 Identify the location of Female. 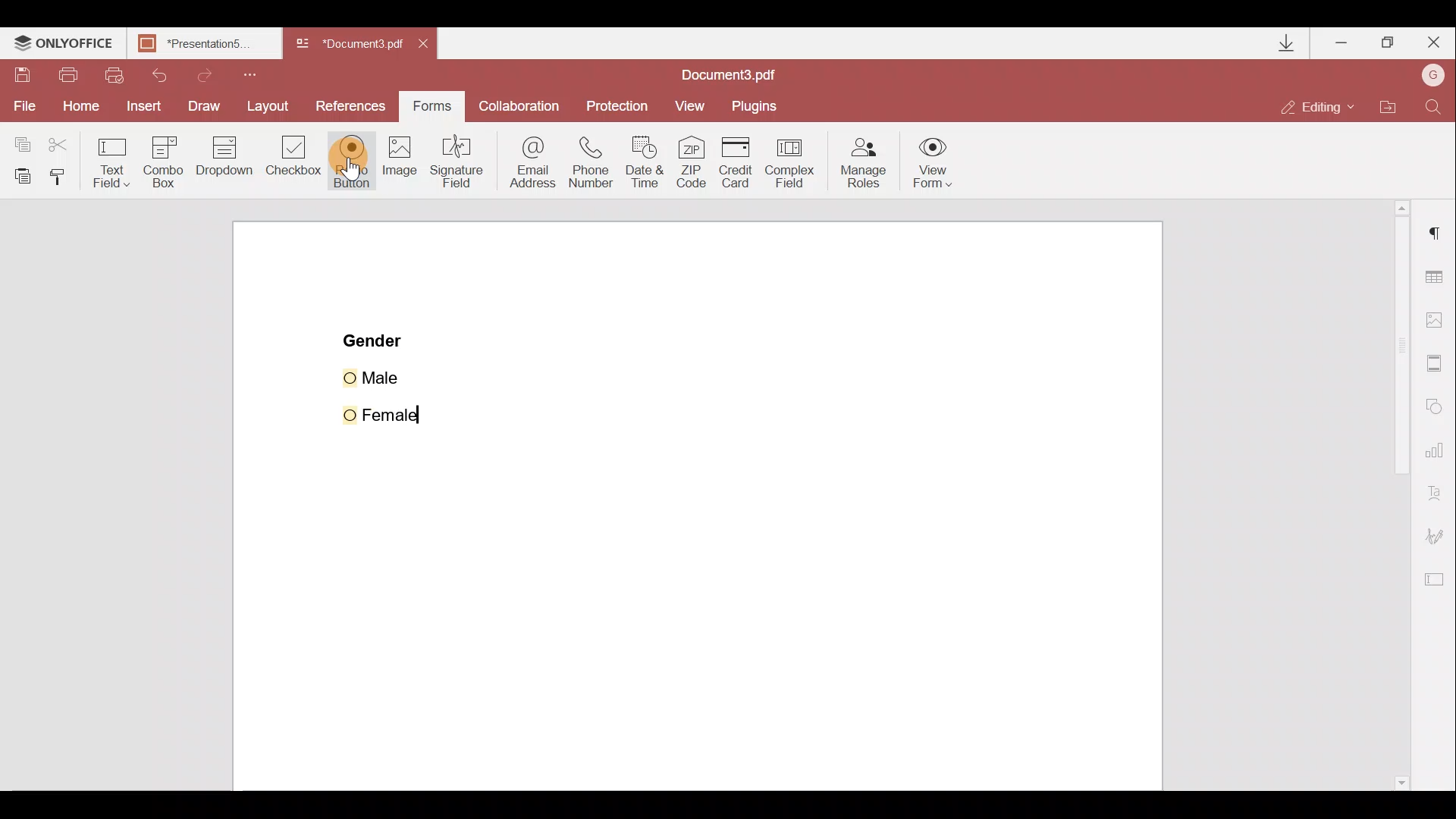
(390, 411).